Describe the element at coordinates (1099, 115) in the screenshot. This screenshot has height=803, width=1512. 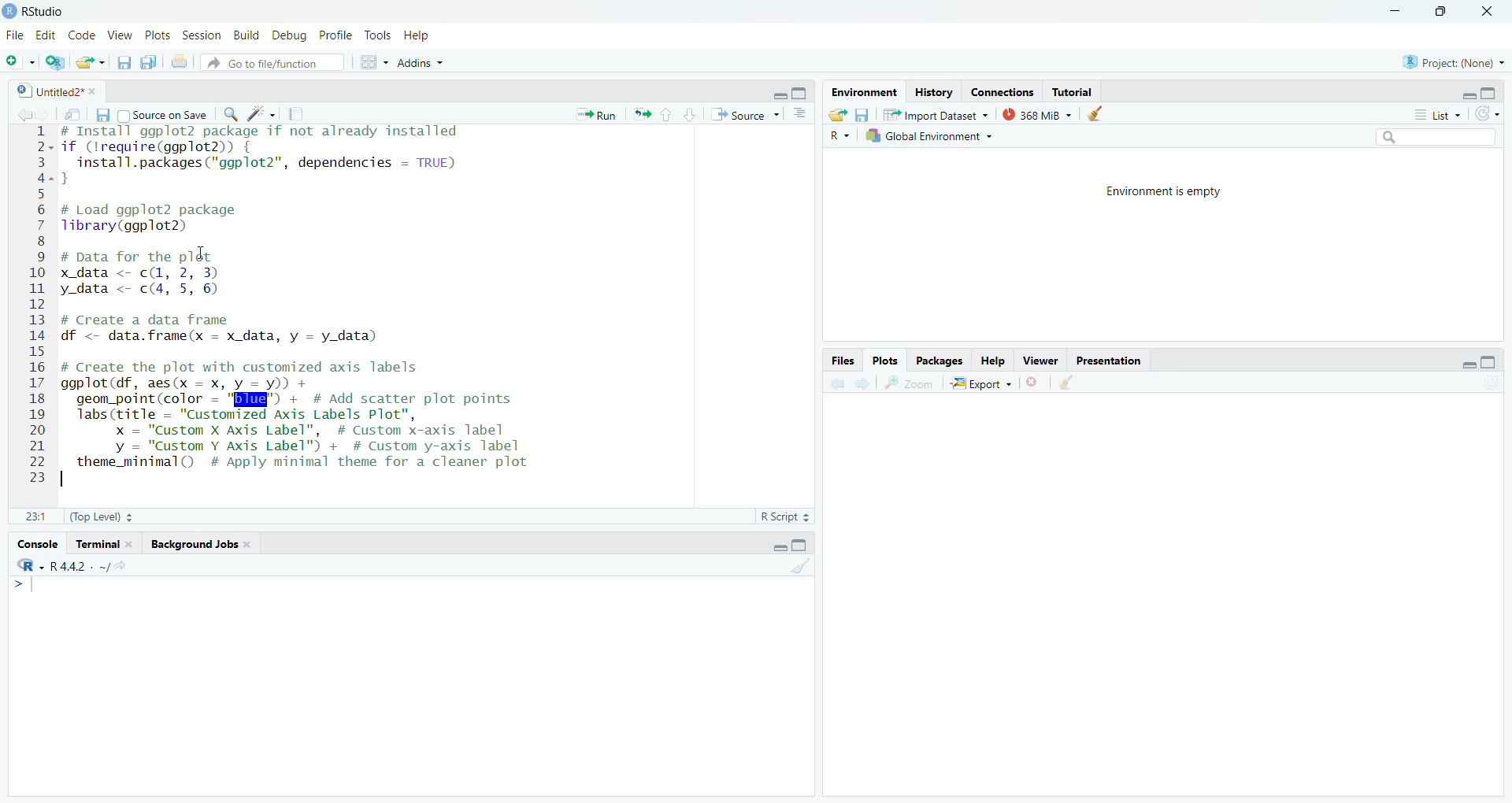
I see `clear` at that location.